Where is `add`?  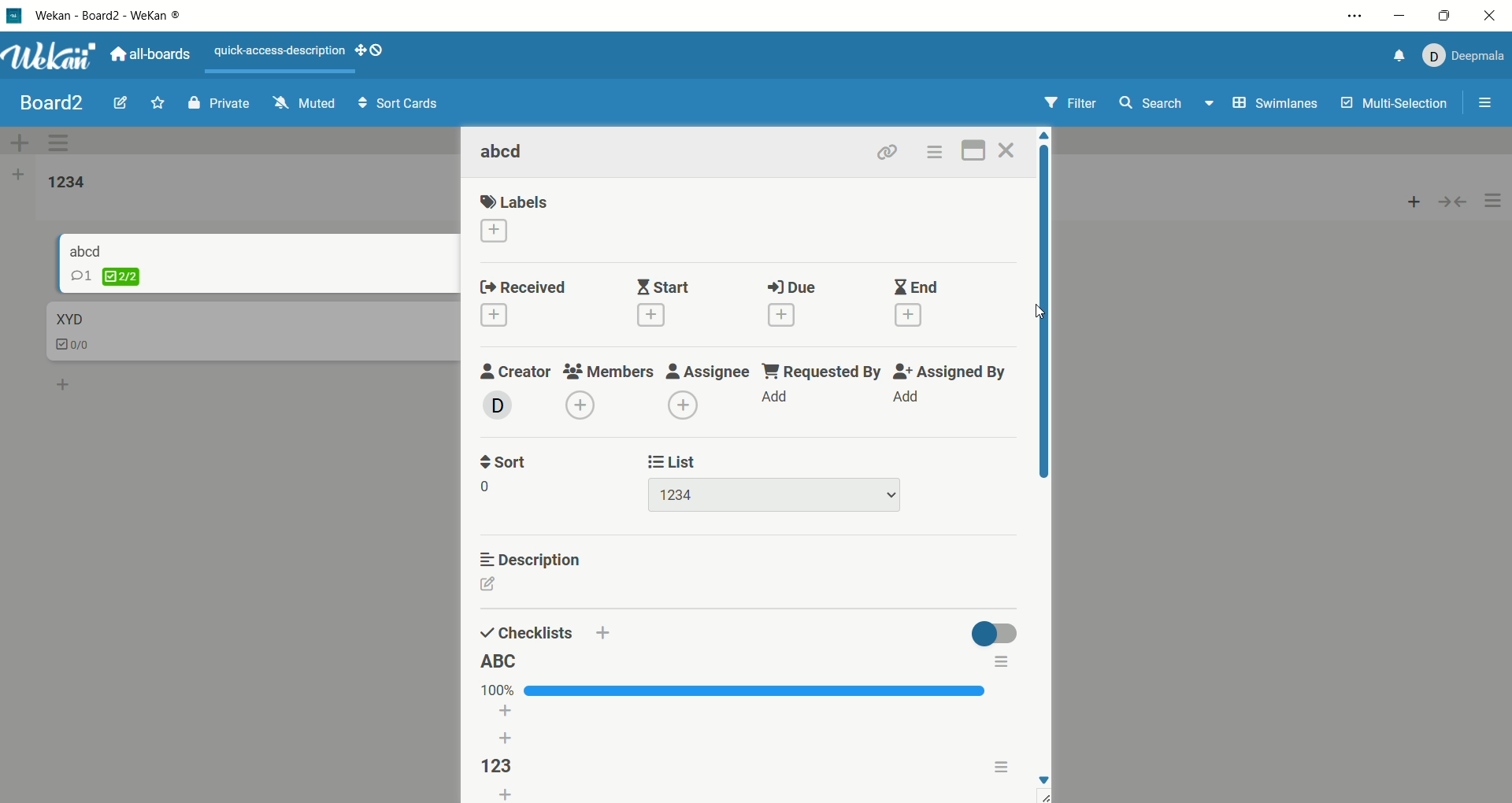 add is located at coordinates (907, 396).